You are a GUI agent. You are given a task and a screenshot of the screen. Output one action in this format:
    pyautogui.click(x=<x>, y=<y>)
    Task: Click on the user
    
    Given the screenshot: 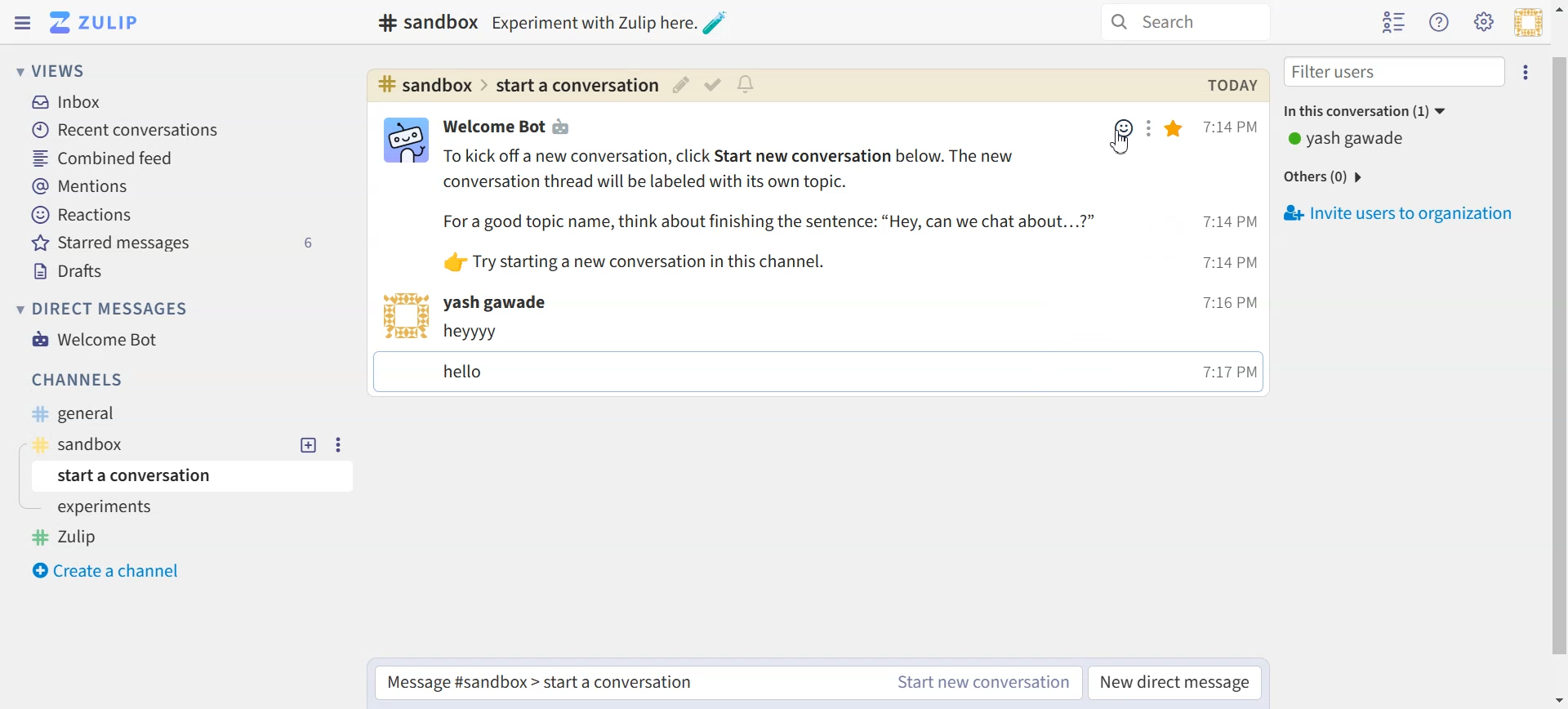 What is the action you would take?
    pyautogui.click(x=500, y=302)
    